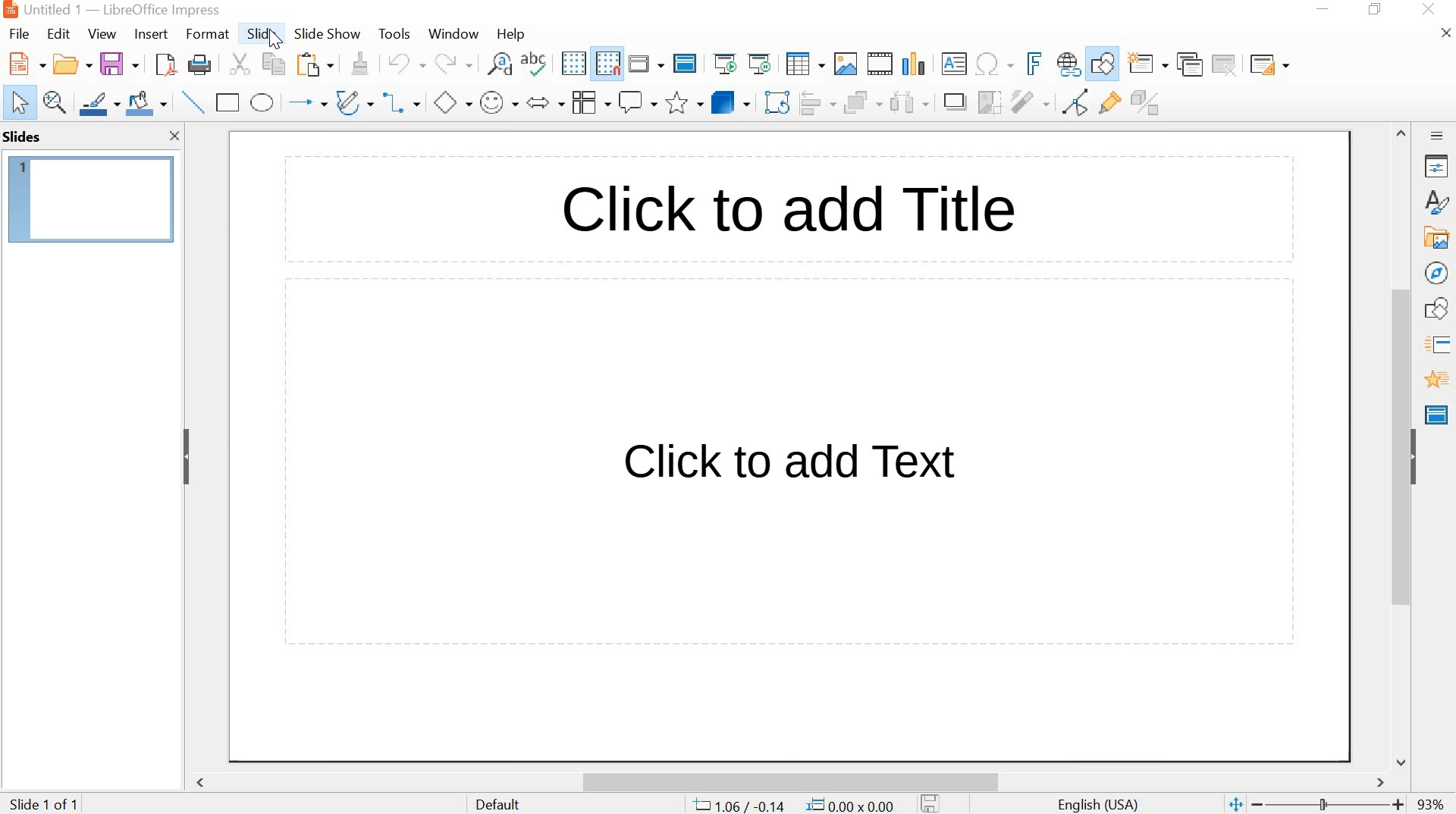 This screenshot has width=1456, height=814. I want to click on SLIDES, so click(23, 136).